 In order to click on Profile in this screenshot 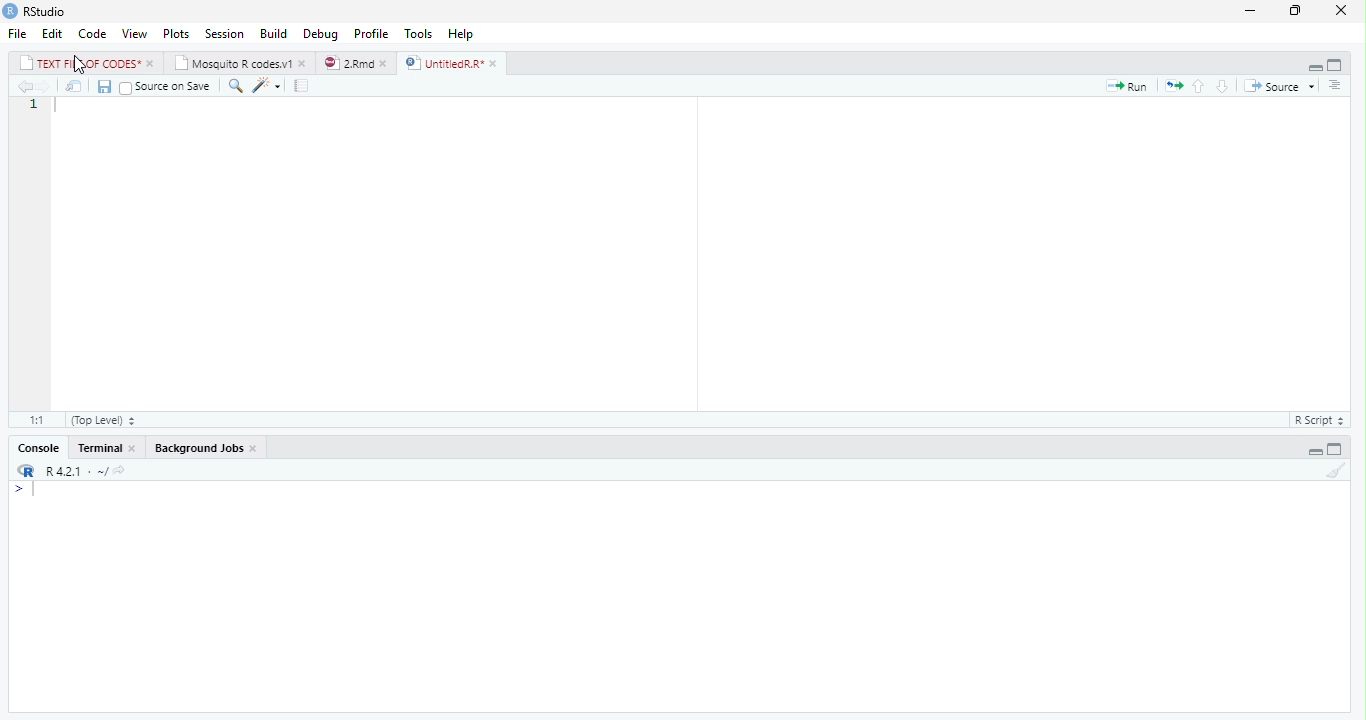, I will do `click(372, 33)`.